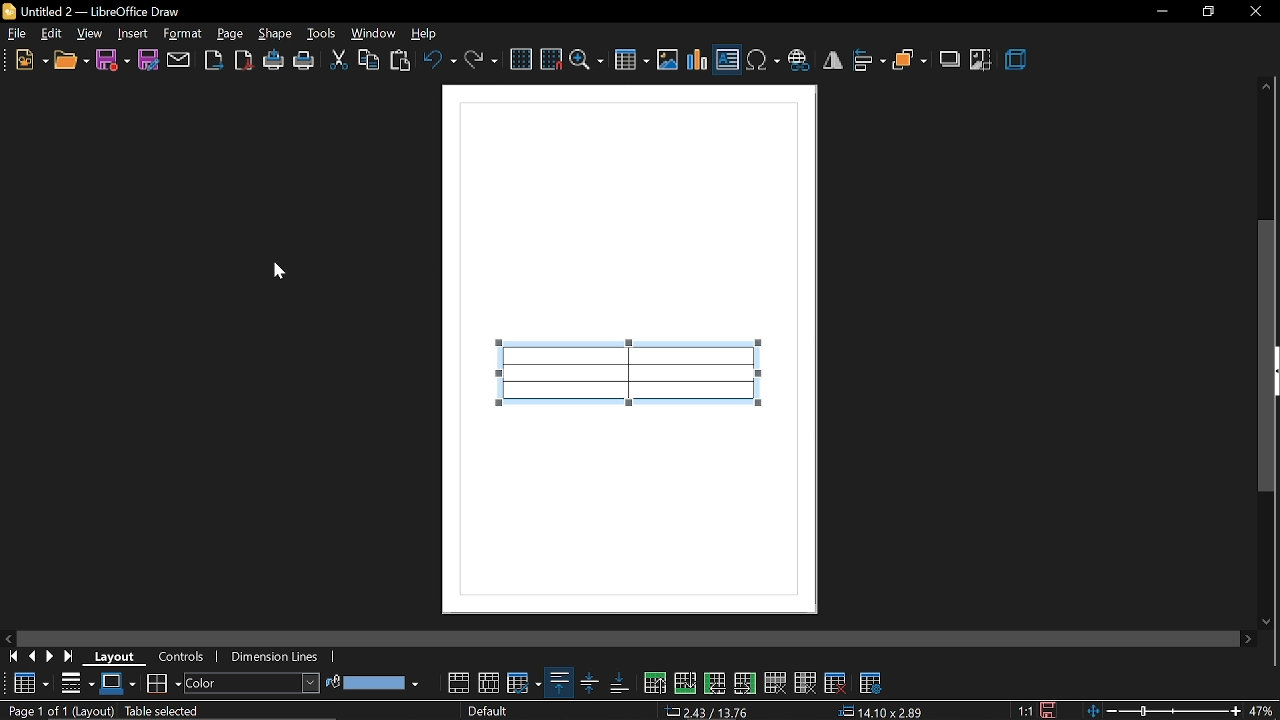 This screenshot has height=720, width=1280. I want to click on cursor, so click(280, 269).